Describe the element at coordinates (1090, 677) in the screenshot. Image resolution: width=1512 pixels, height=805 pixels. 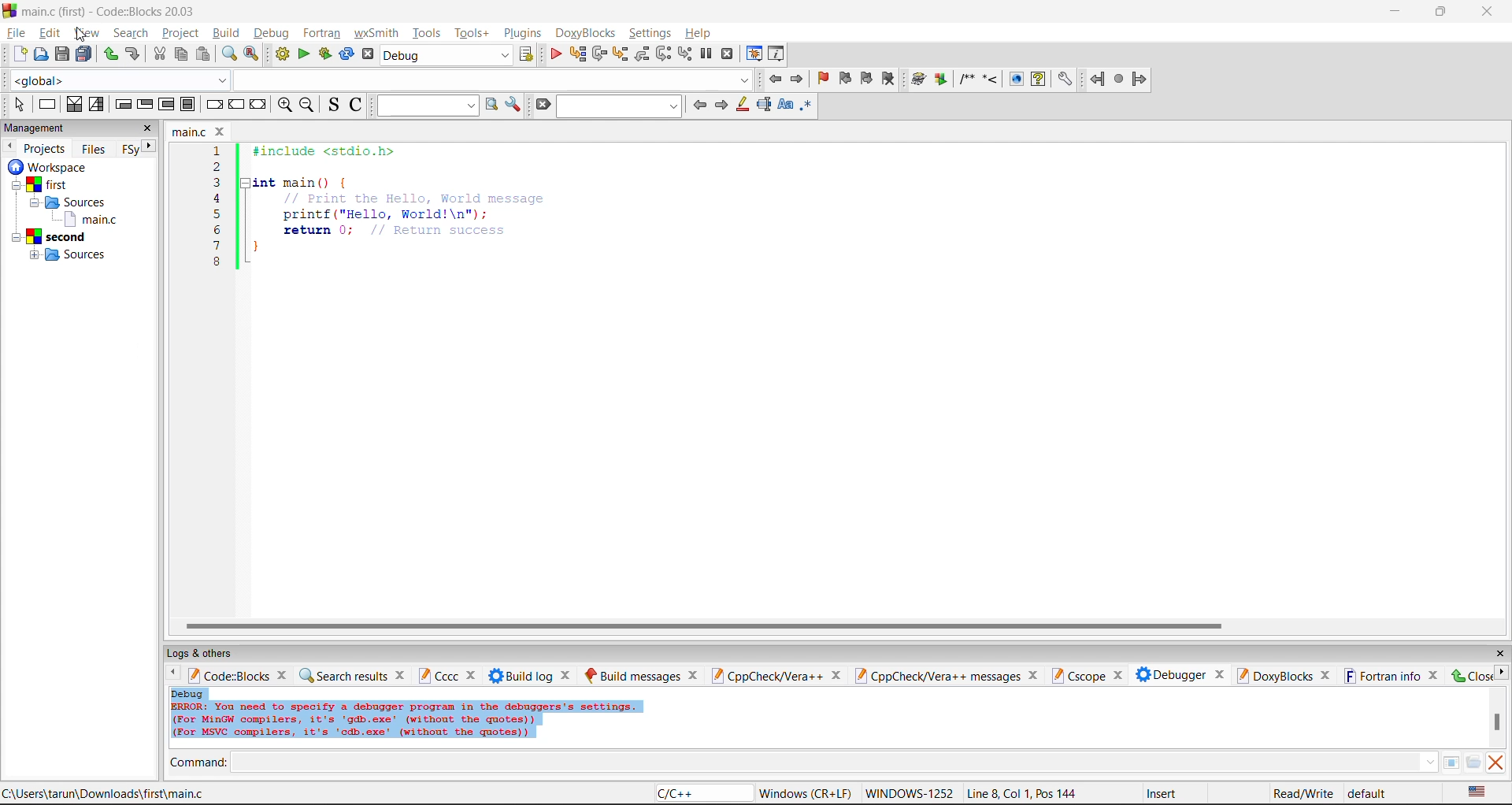
I see `cscope` at that location.